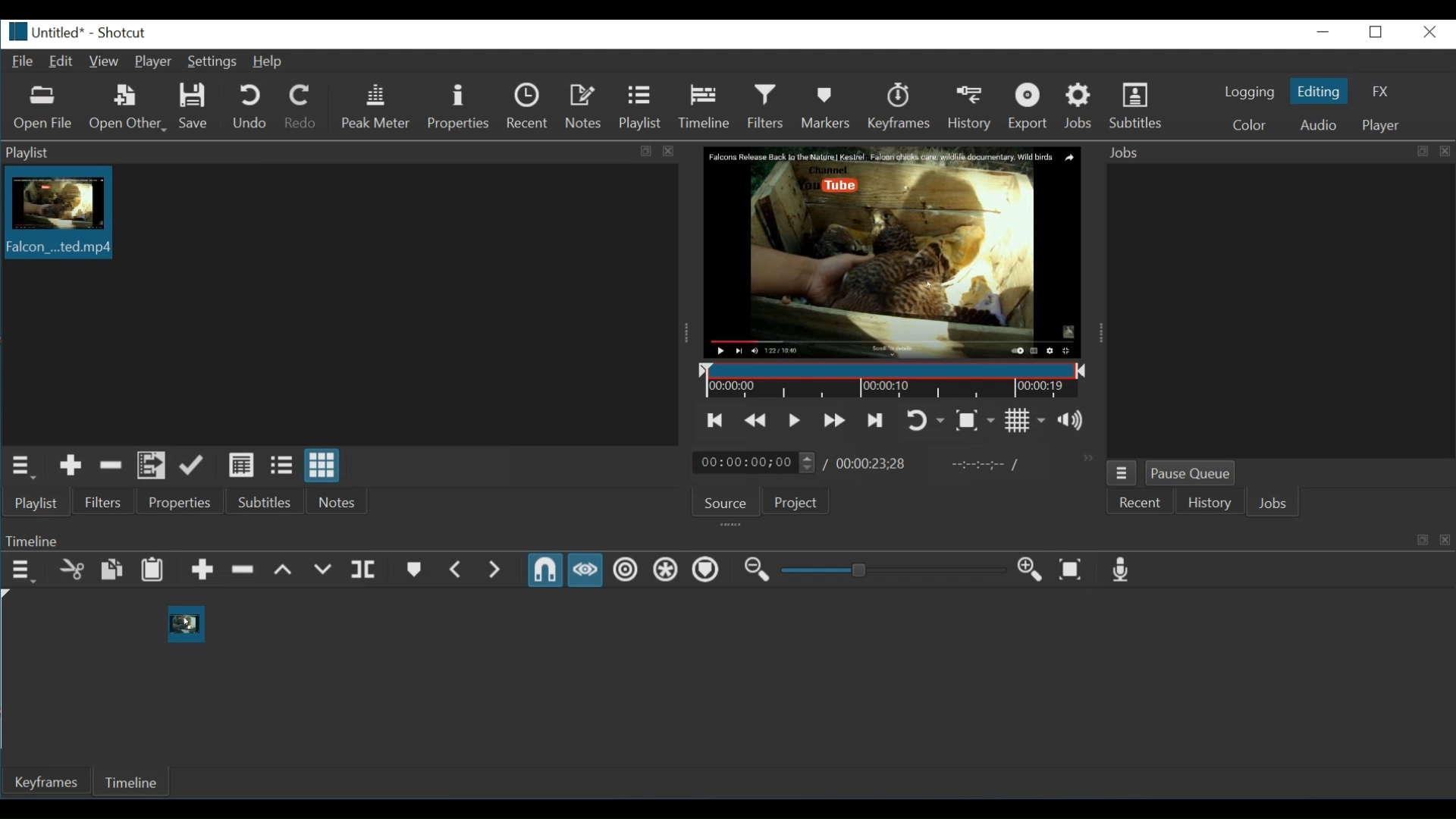 This screenshot has width=1456, height=819. I want to click on jobs panel, so click(1280, 309).